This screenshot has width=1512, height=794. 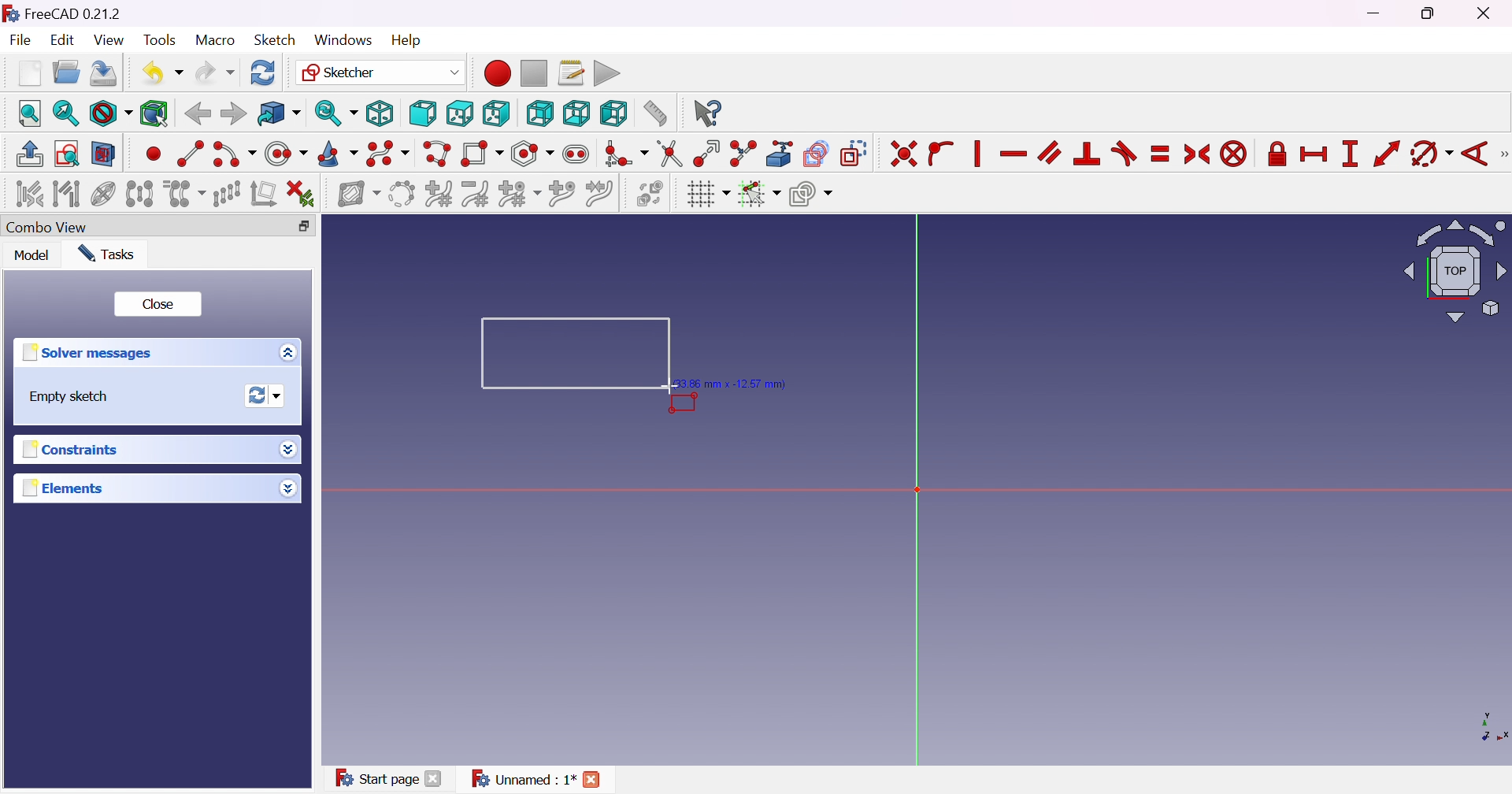 What do you see at coordinates (233, 157) in the screenshot?
I see `Create arc` at bounding box center [233, 157].